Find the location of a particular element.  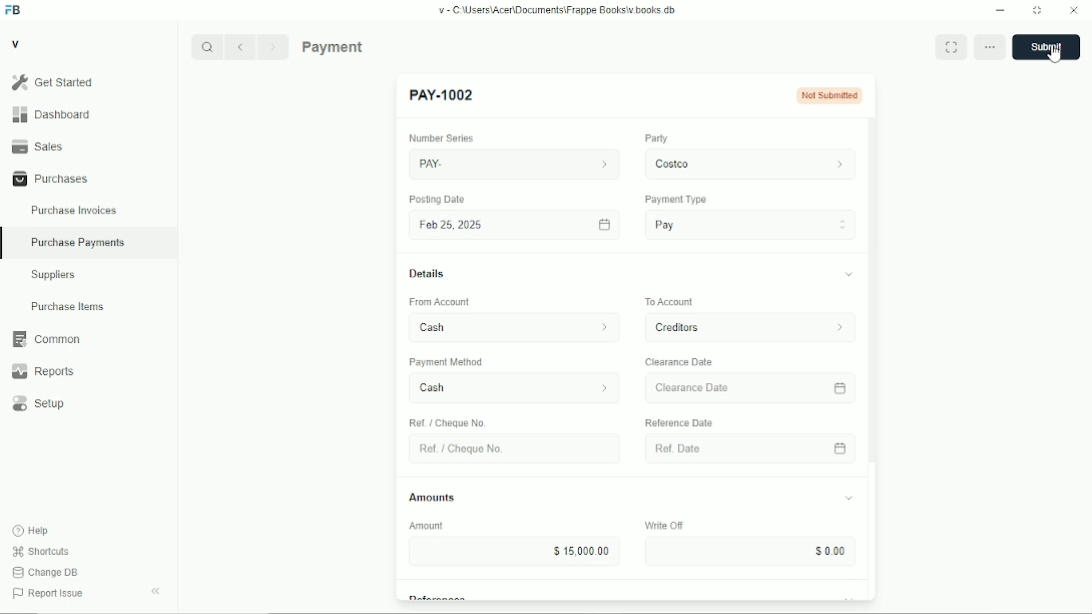

Cash is located at coordinates (505, 389).